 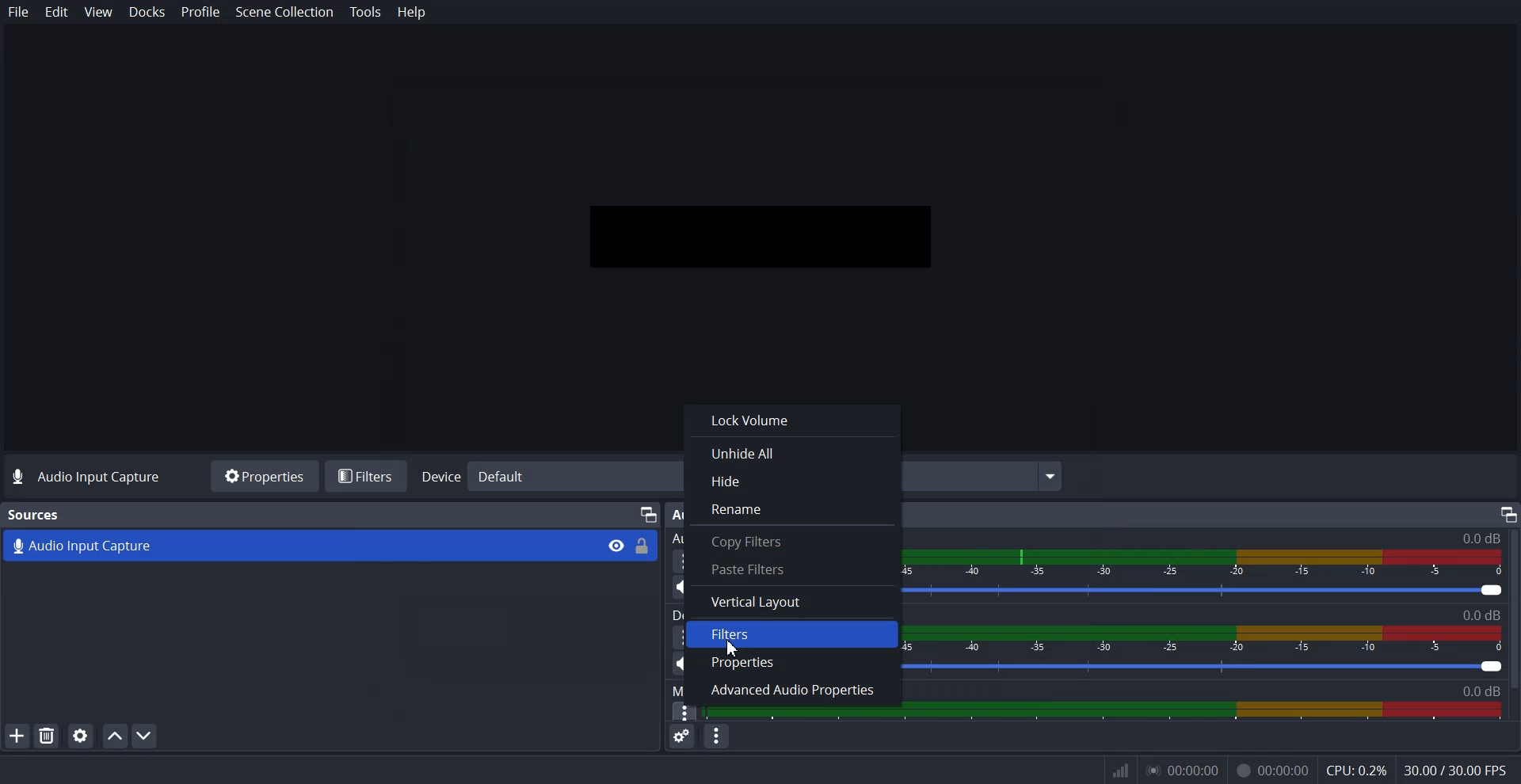 What do you see at coordinates (115, 736) in the screenshot?
I see `Move source up` at bounding box center [115, 736].